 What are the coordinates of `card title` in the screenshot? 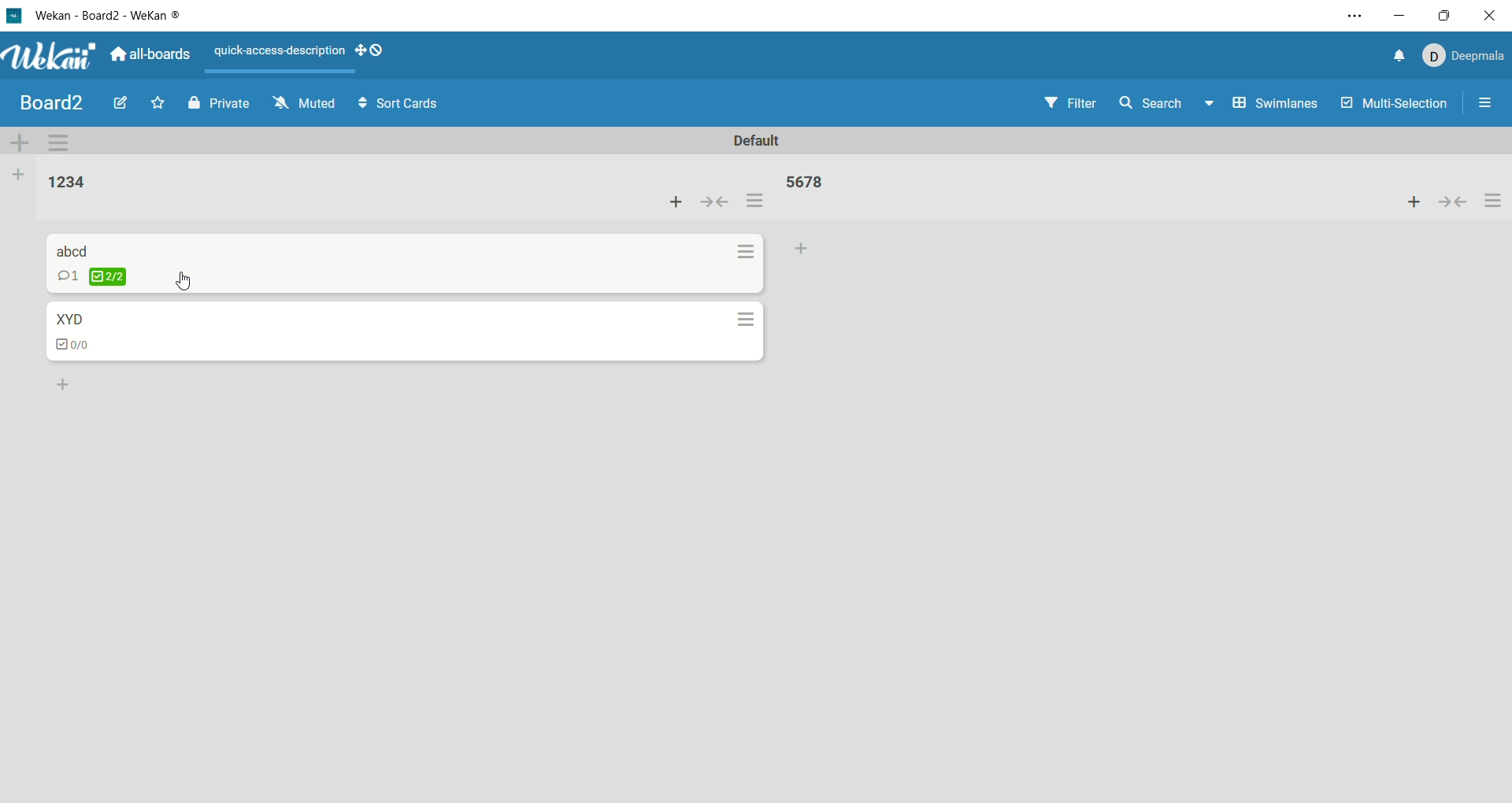 It's located at (68, 320).